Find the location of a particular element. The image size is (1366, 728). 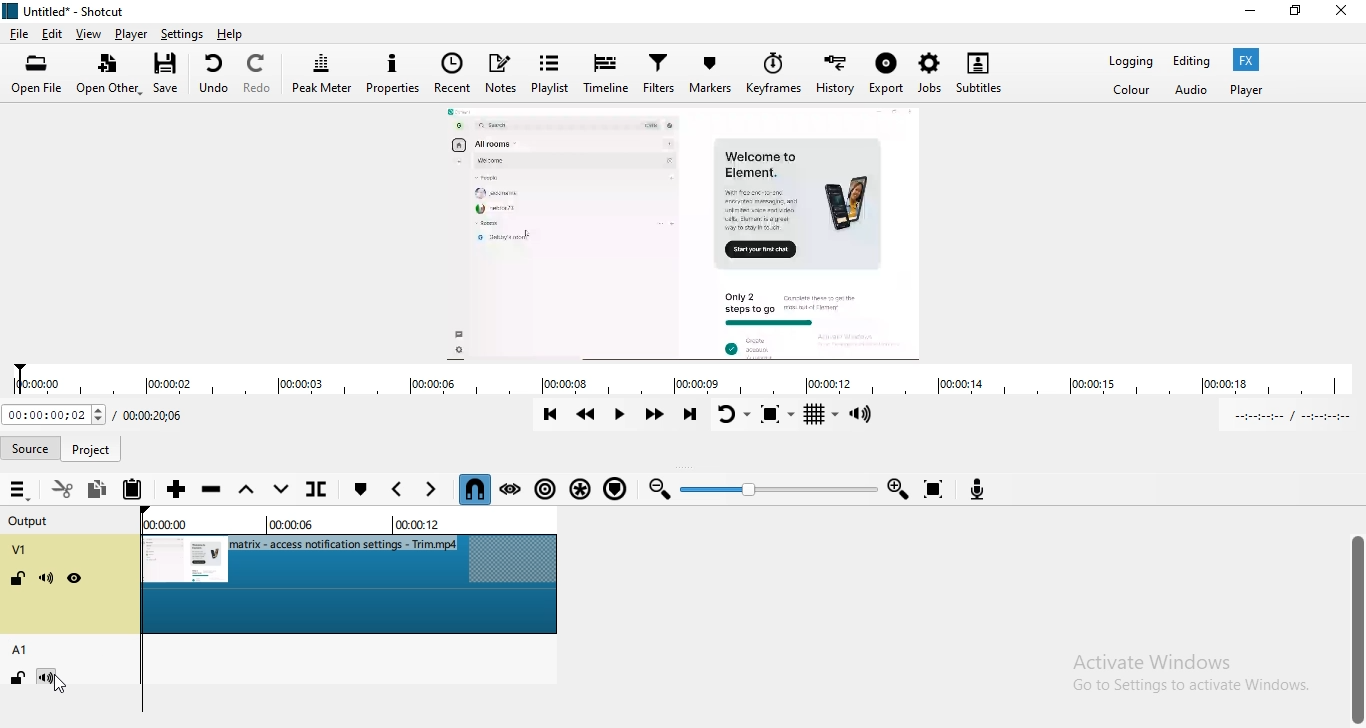

Append is located at coordinates (175, 489).